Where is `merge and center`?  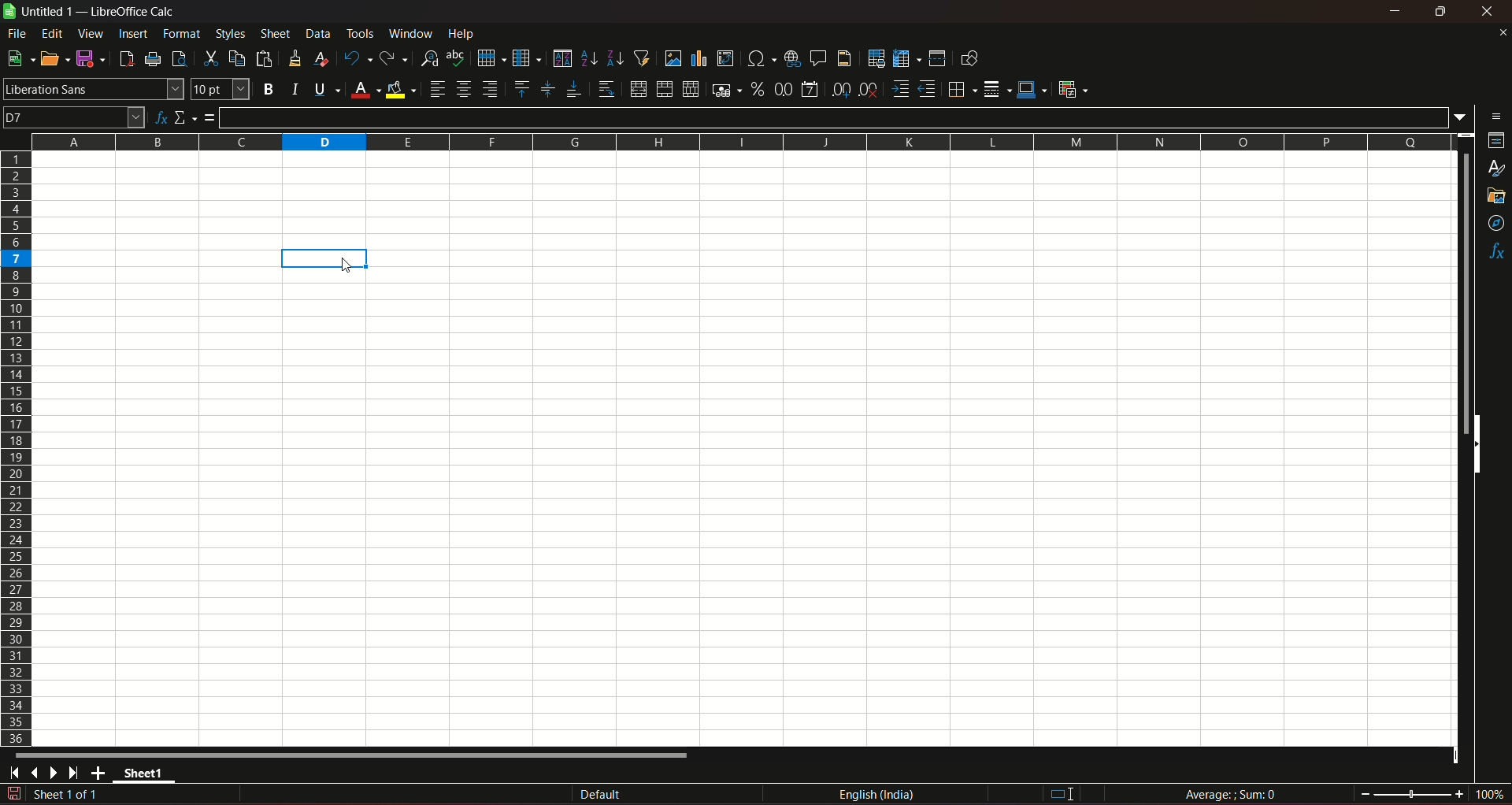 merge and center is located at coordinates (637, 89).